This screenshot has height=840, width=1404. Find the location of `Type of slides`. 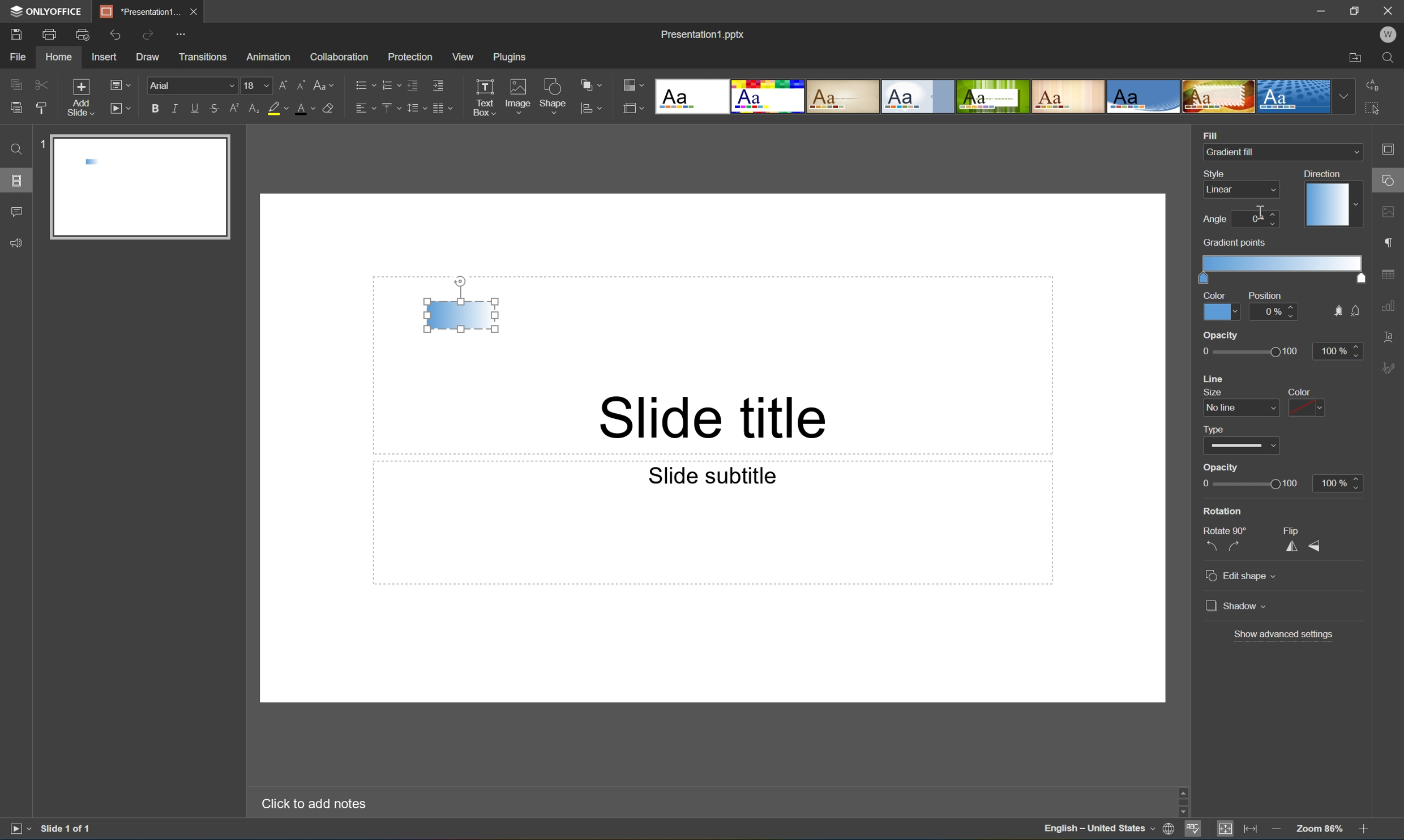

Type of slides is located at coordinates (992, 97).